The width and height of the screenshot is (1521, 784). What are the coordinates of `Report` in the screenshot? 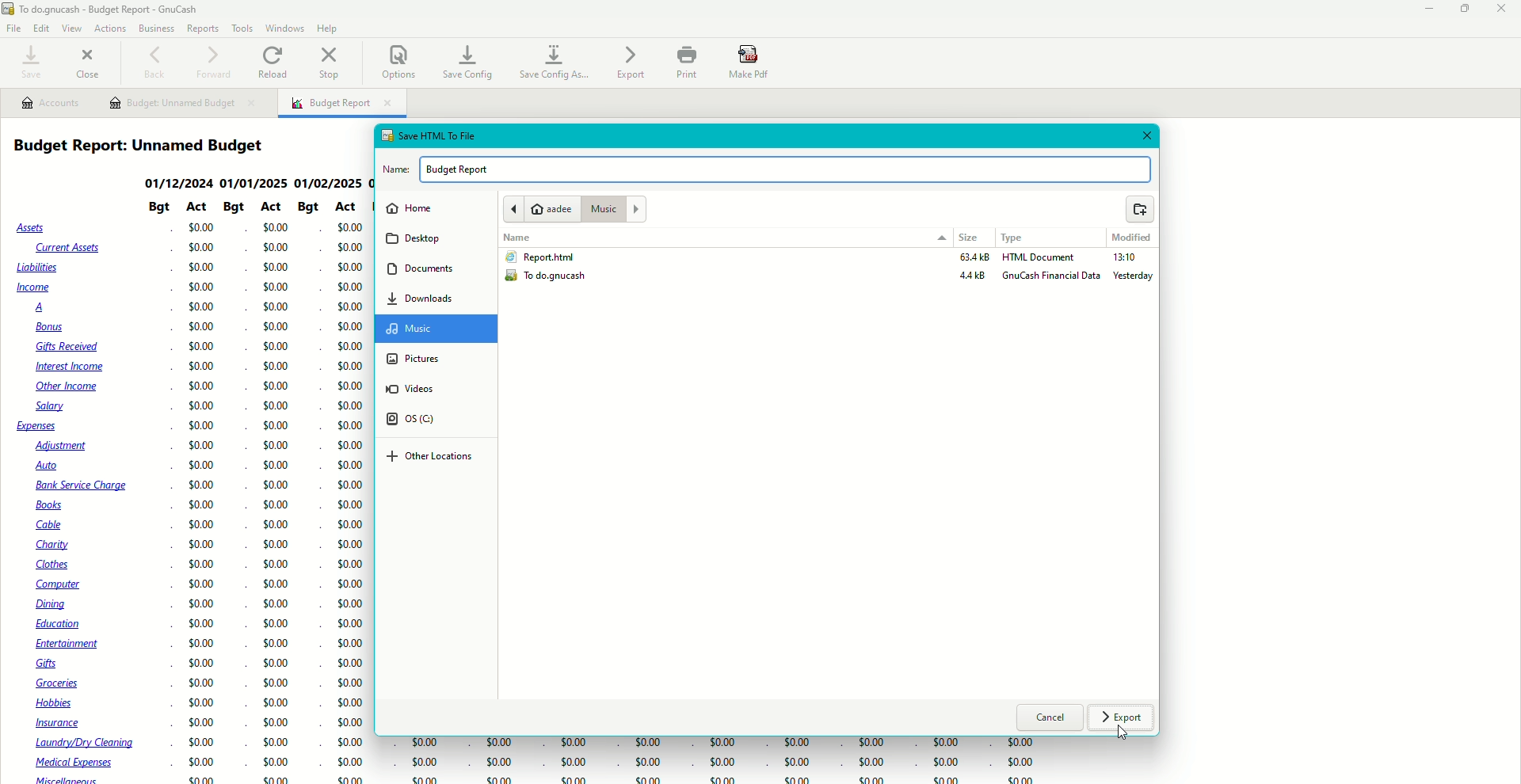 It's located at (539, 257).